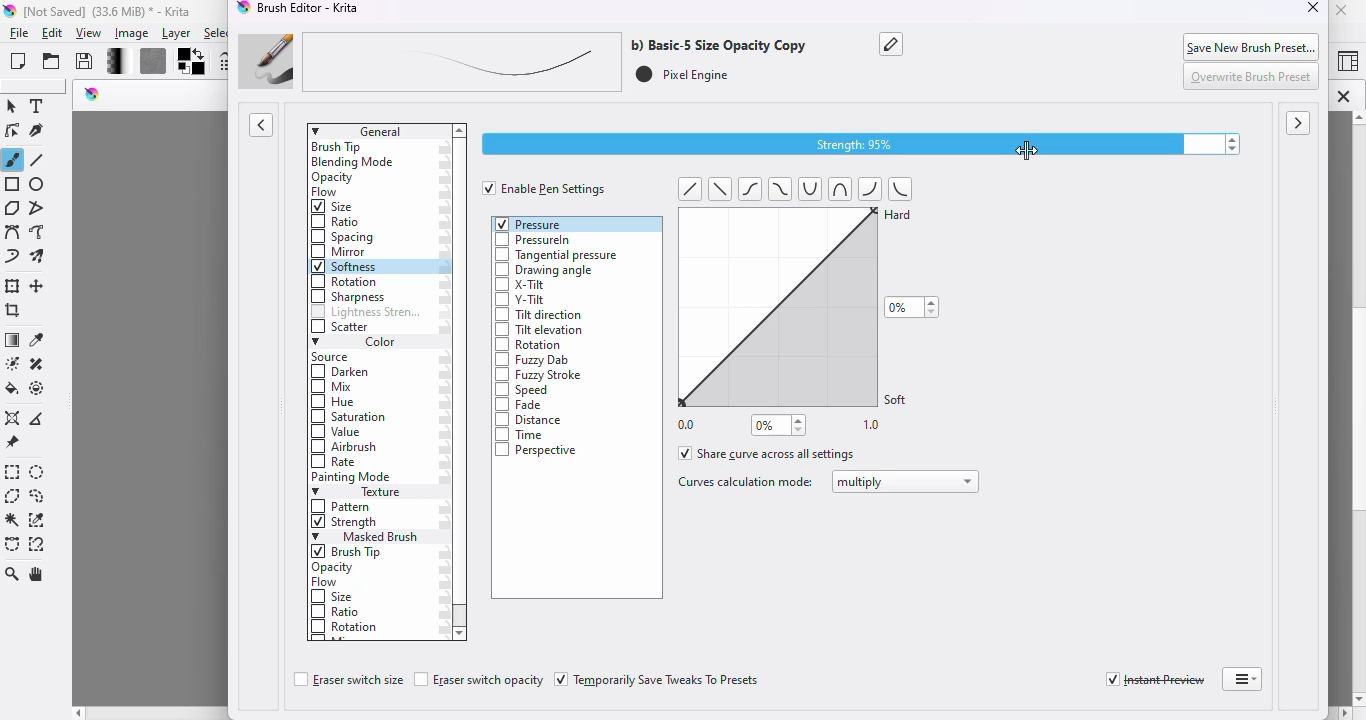 The image size is (1366, 720). Describe the element at coordinates (13, 341) in the screenshot. I see `draw a gradient` at that location.